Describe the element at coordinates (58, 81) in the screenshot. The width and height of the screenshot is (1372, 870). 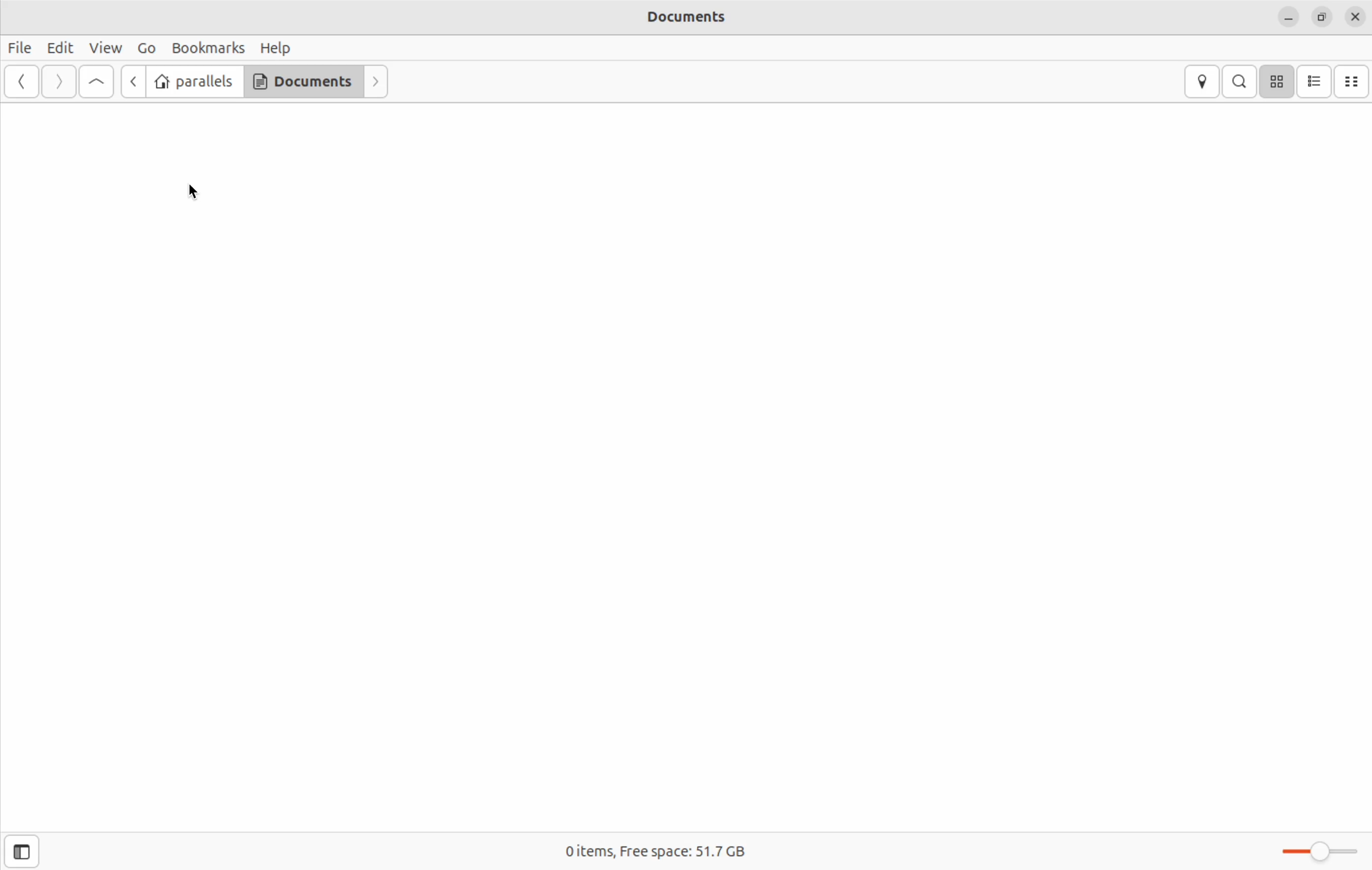
I see `forward` at that location.